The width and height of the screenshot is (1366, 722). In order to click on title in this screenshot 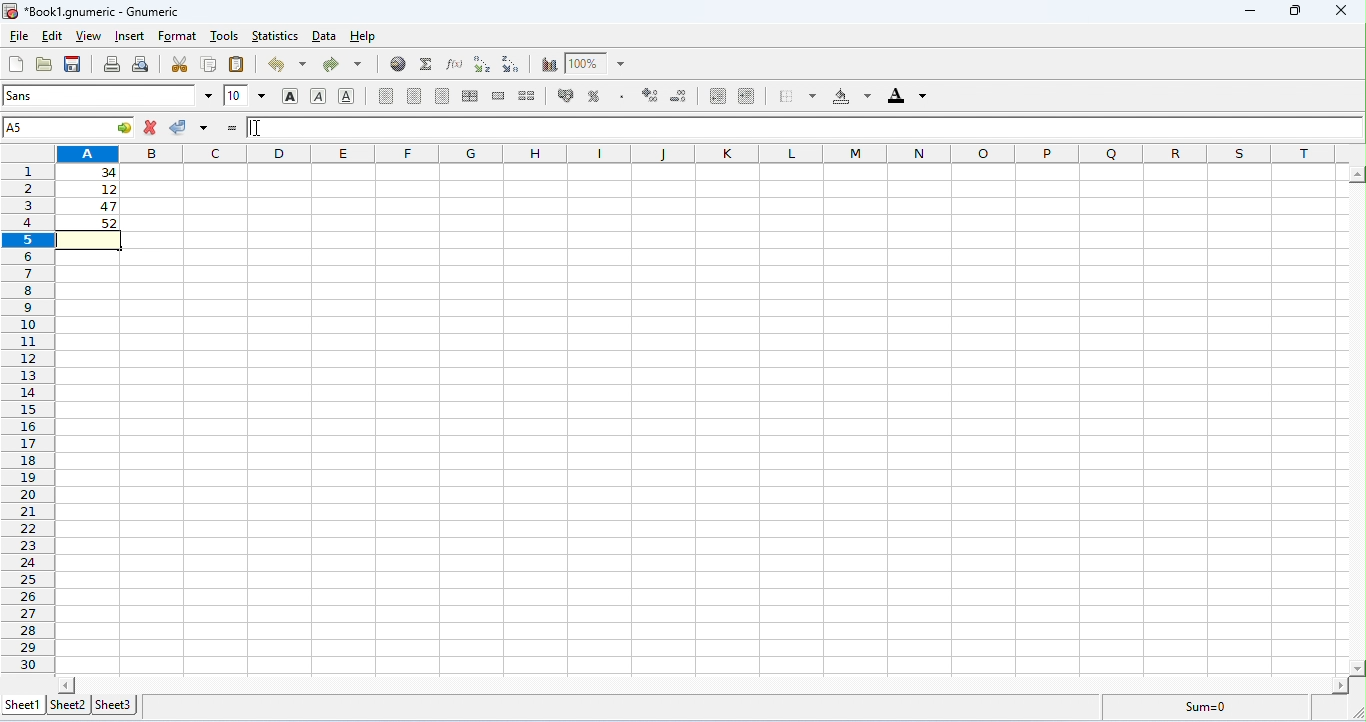, I will do `click(90, 12)`.